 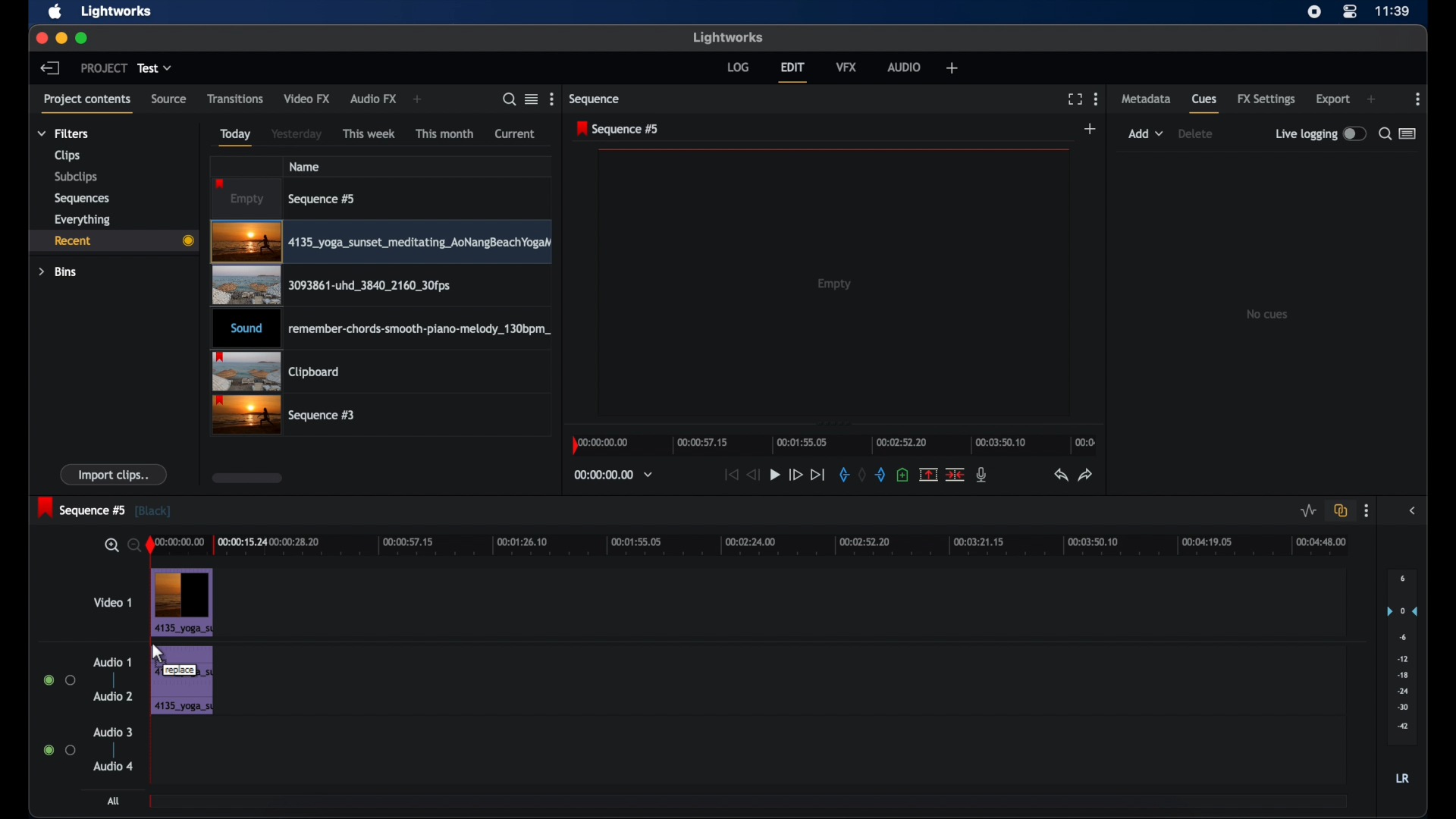 I want to click on metadata, so click(x=1145, y=99).